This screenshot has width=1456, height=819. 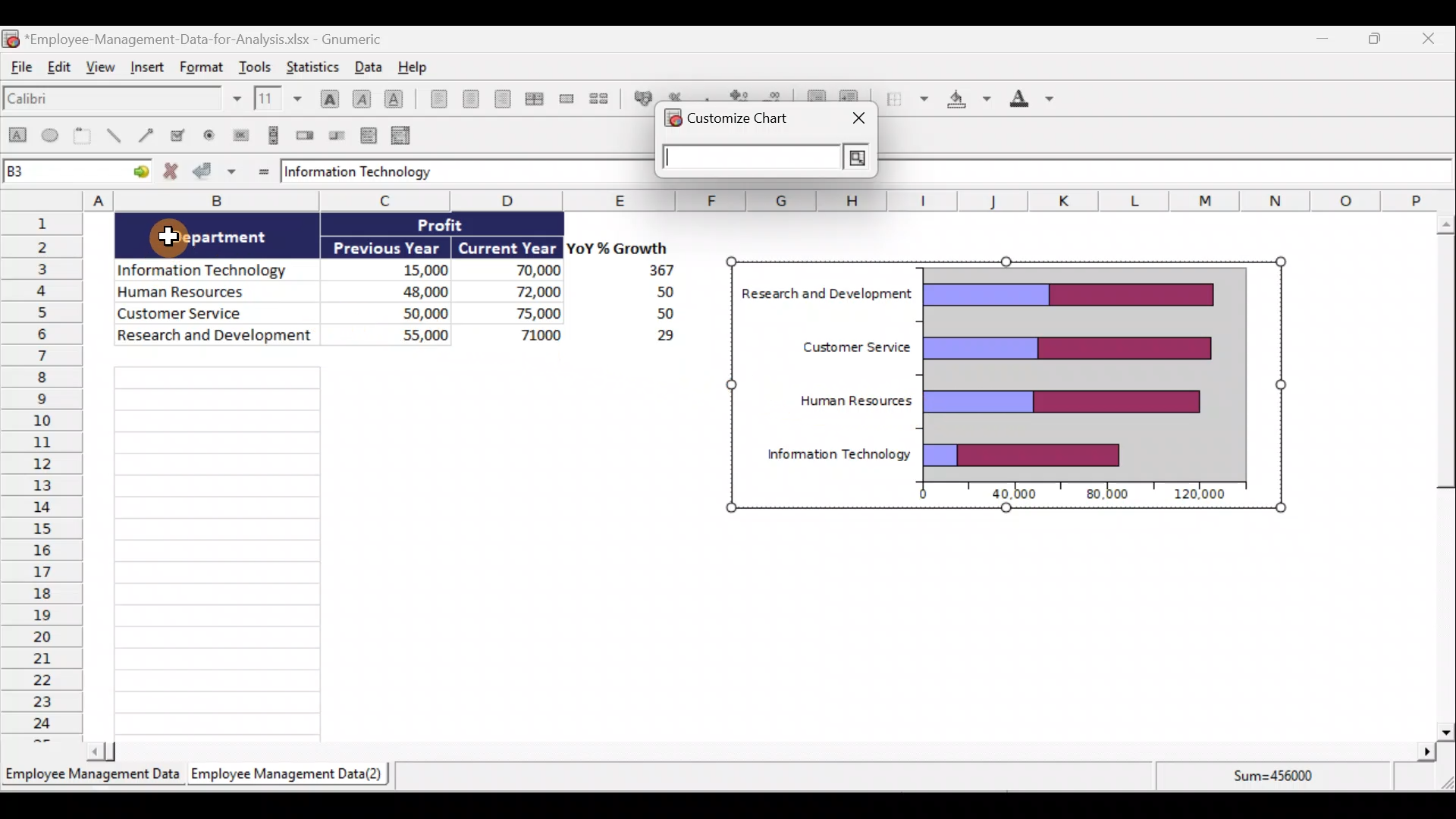 I want to click on 0, so click(x=916, y=496).